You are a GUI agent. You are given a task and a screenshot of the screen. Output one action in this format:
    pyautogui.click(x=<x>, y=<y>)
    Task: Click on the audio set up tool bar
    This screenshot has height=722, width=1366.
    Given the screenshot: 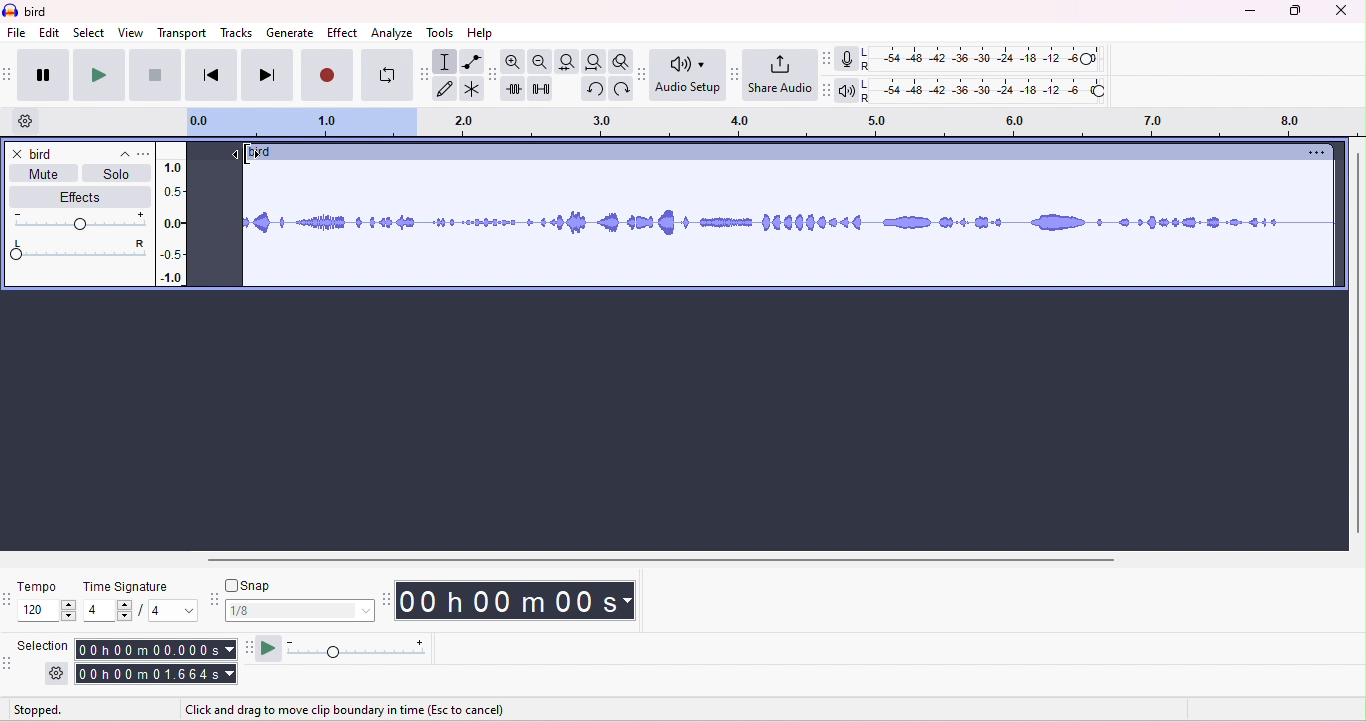 What is the action you would take?
    pyautogui.click(x=644, y=72)
    